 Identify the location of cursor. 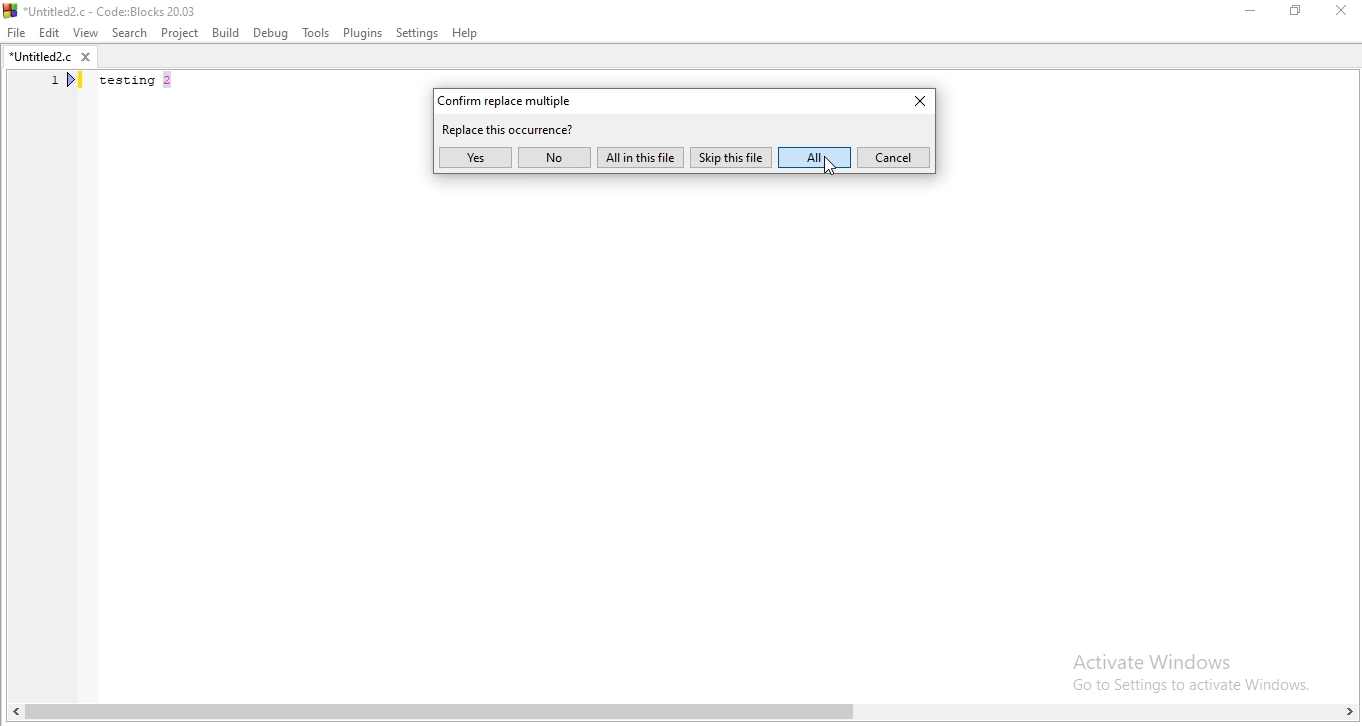
(828, 168).